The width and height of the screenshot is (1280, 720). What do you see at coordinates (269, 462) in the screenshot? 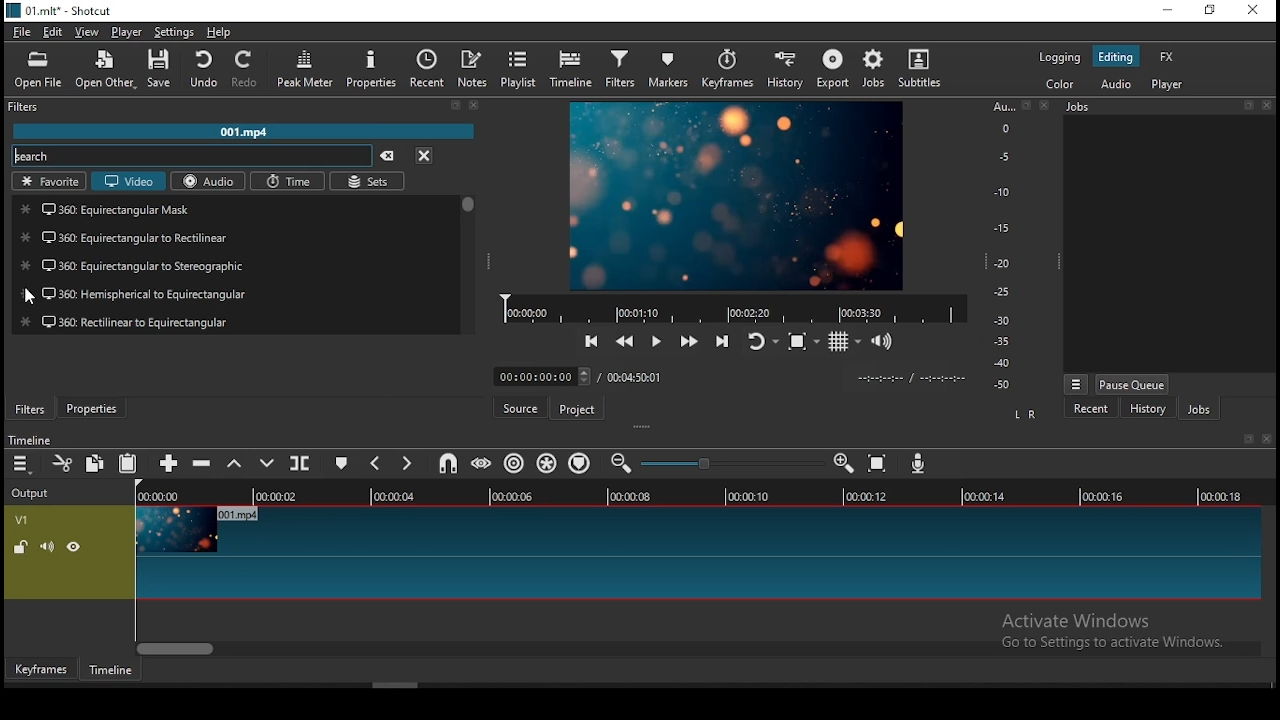
I see `overwrite` at bounding box center [269, 462].